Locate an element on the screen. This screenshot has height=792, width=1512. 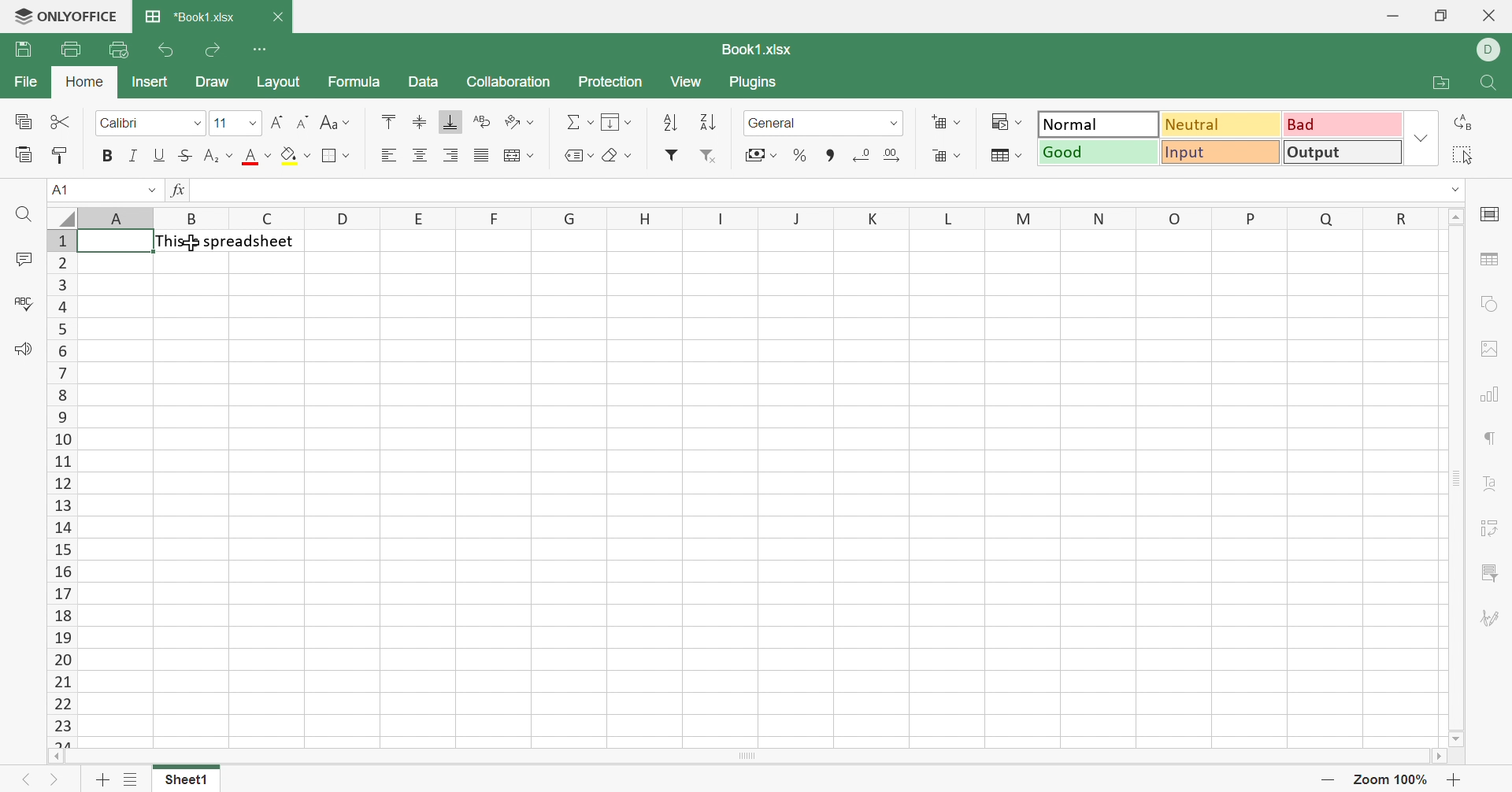
Align Center is located at coordinates (420, 156).